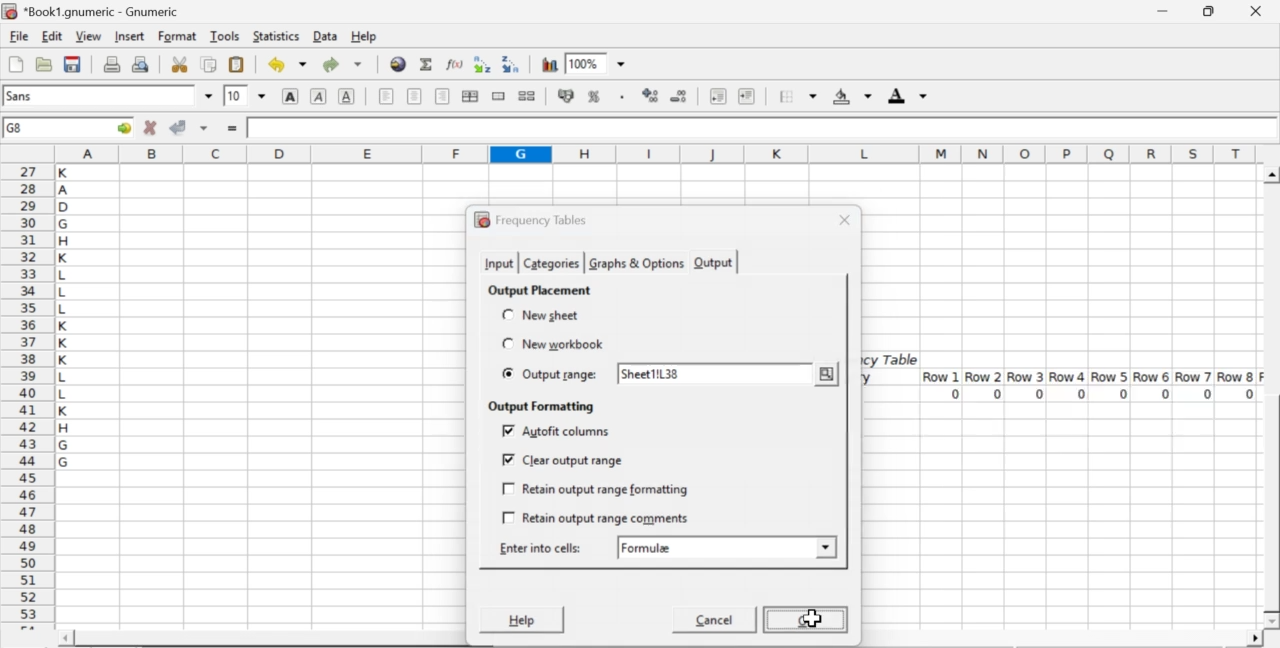 The height and width of the screenshot is (648, 1280). Describe the element at coordinates (399, 64) in the screenshot. I see `insert hyperlink` at that location.